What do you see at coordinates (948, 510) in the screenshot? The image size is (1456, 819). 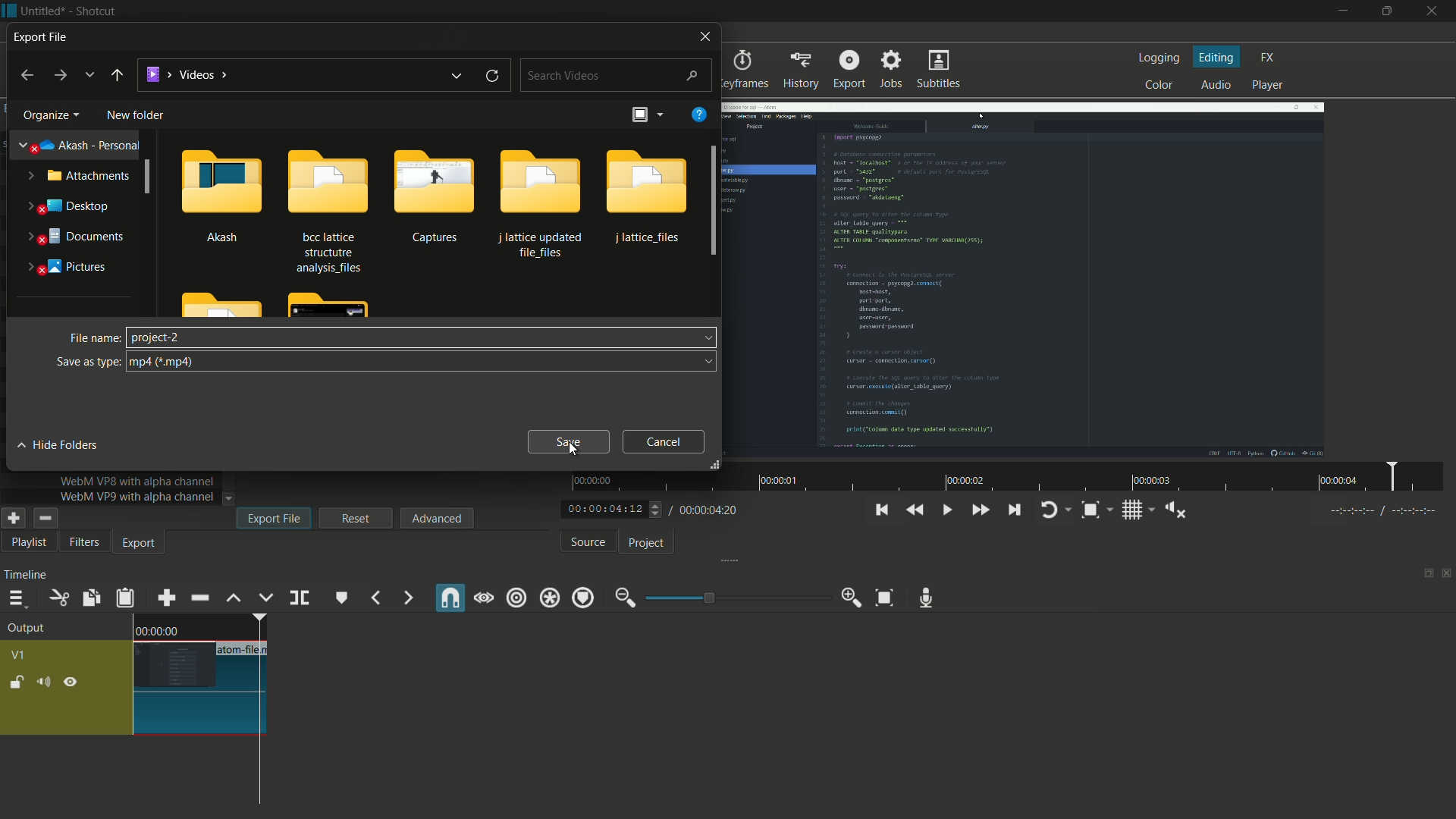 I see `toggle play or pause` at bounding box center [948, 510].